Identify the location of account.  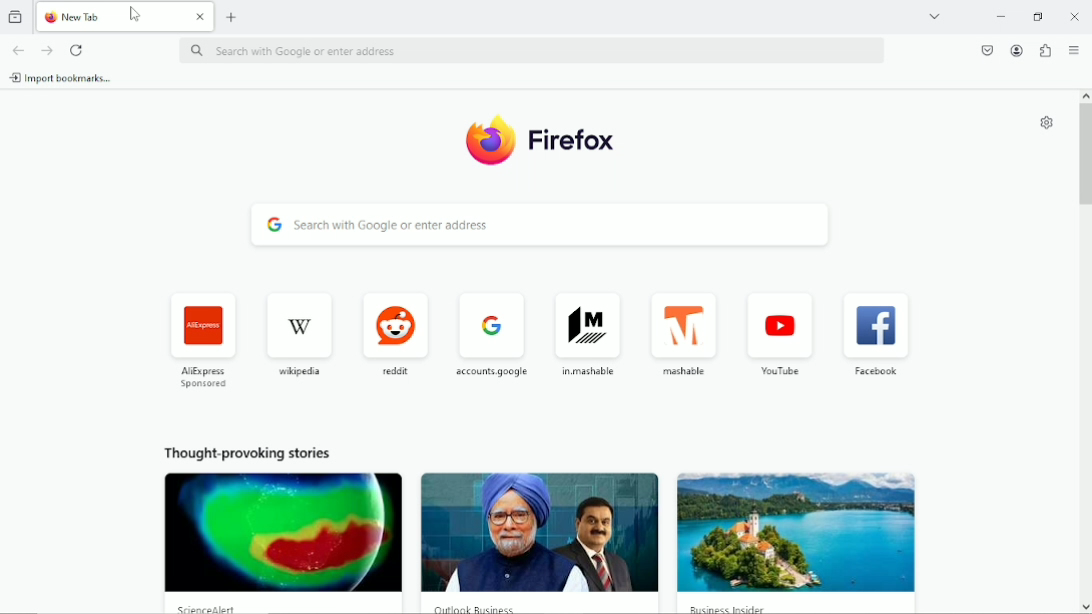
(1018, 49).